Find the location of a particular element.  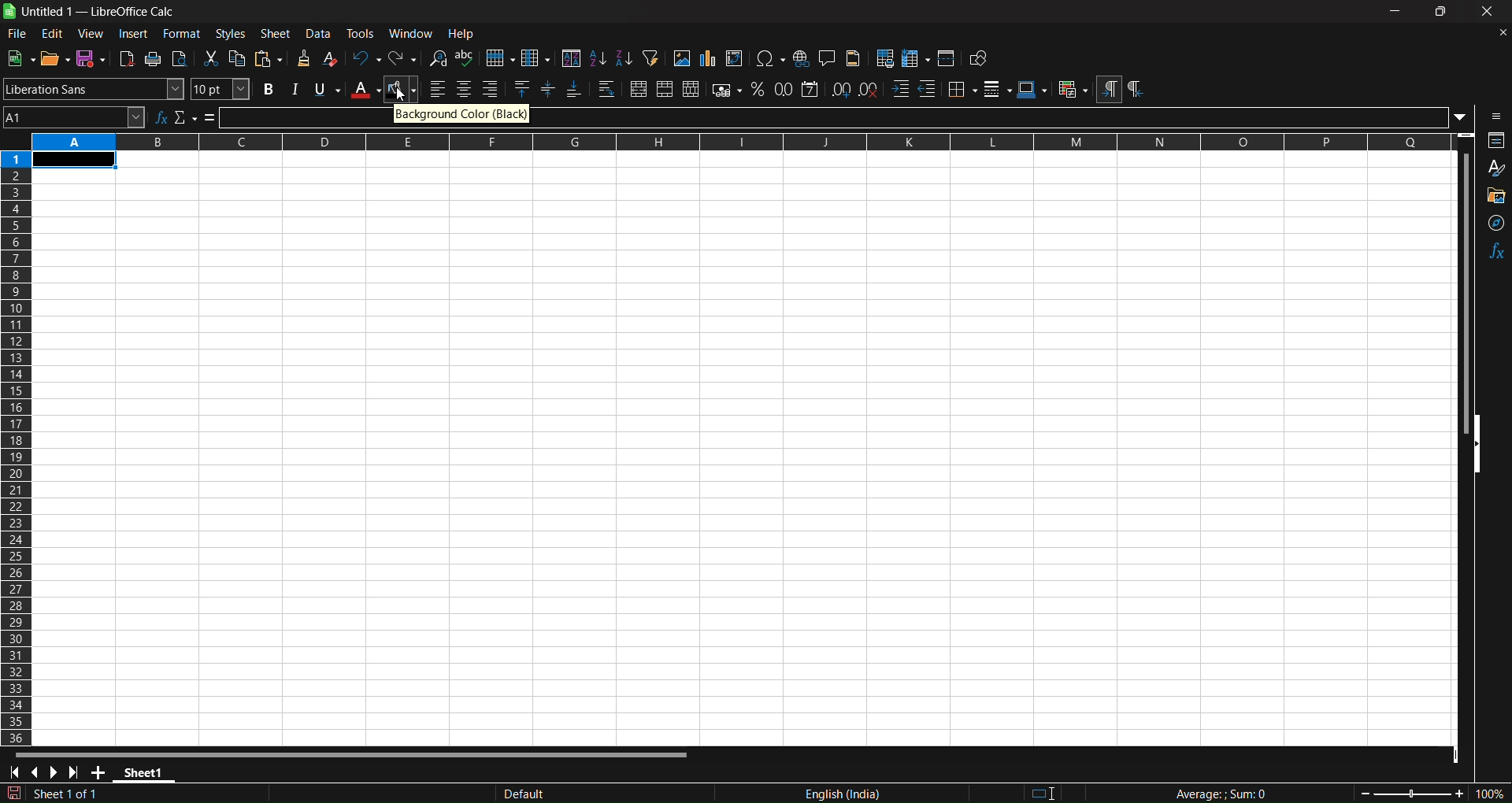

formula is located at coordinates (209, 118).